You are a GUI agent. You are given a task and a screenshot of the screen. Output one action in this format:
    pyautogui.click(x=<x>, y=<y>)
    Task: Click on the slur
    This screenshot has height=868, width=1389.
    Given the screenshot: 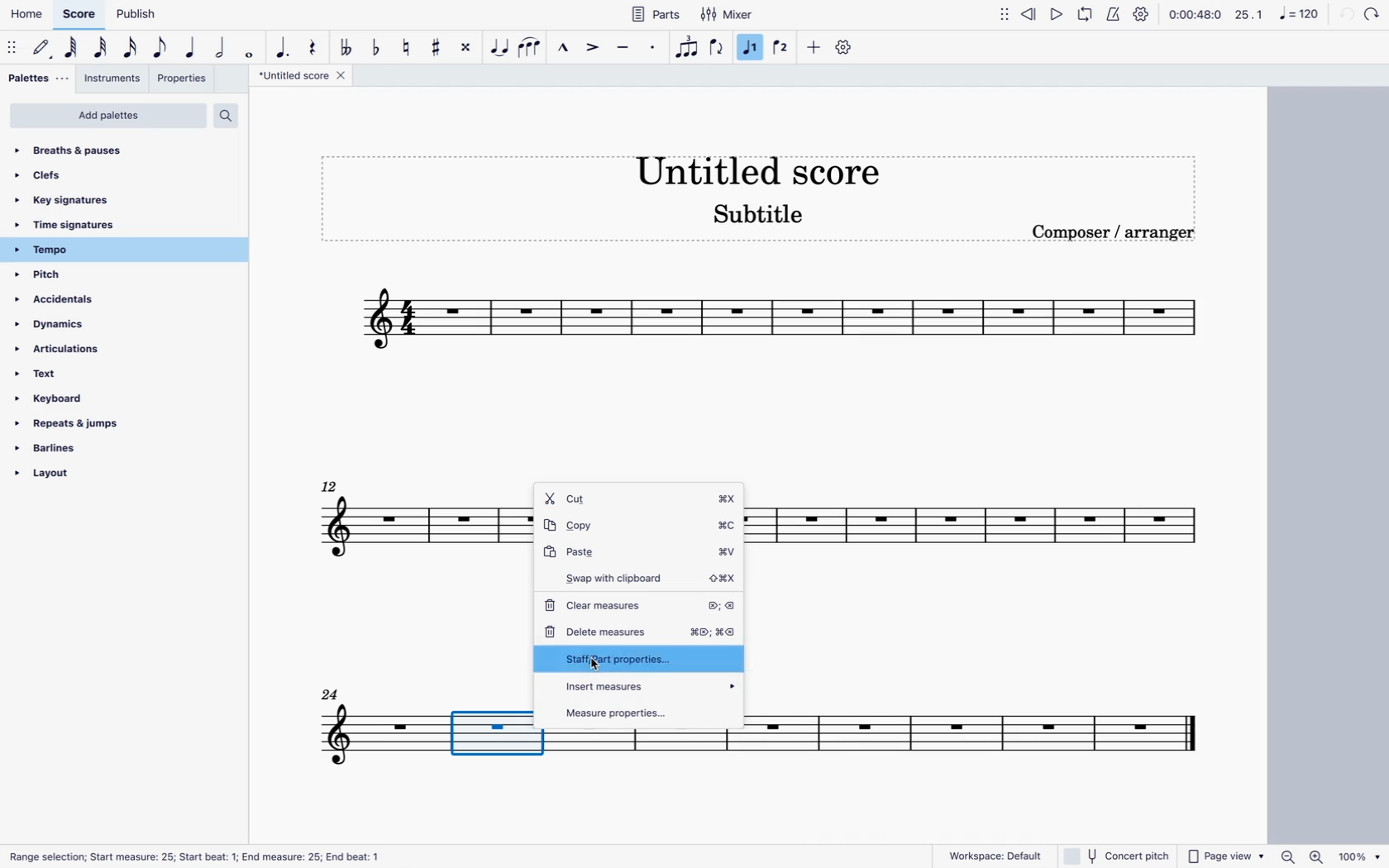 What is the action you would take?
    pyautogui.click(x=531, y=48)
    